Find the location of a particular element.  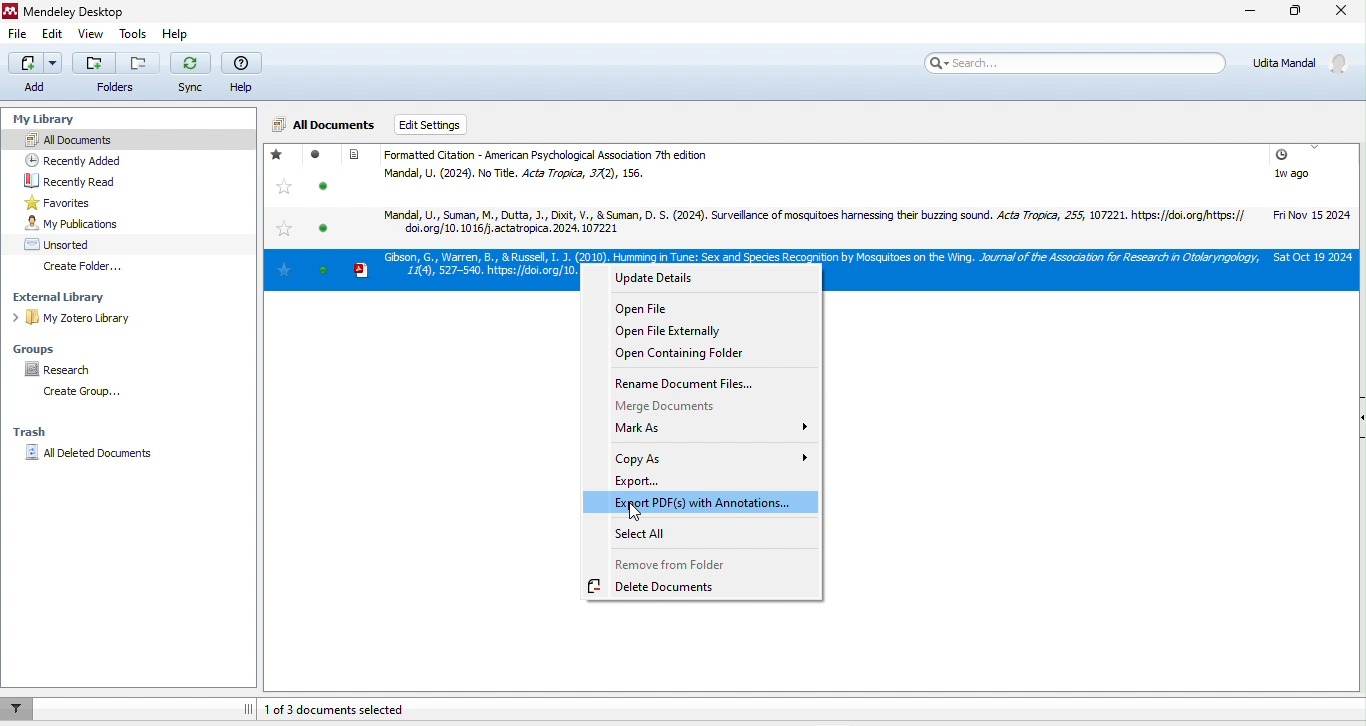

all documents is located at coordinates (130, 140).